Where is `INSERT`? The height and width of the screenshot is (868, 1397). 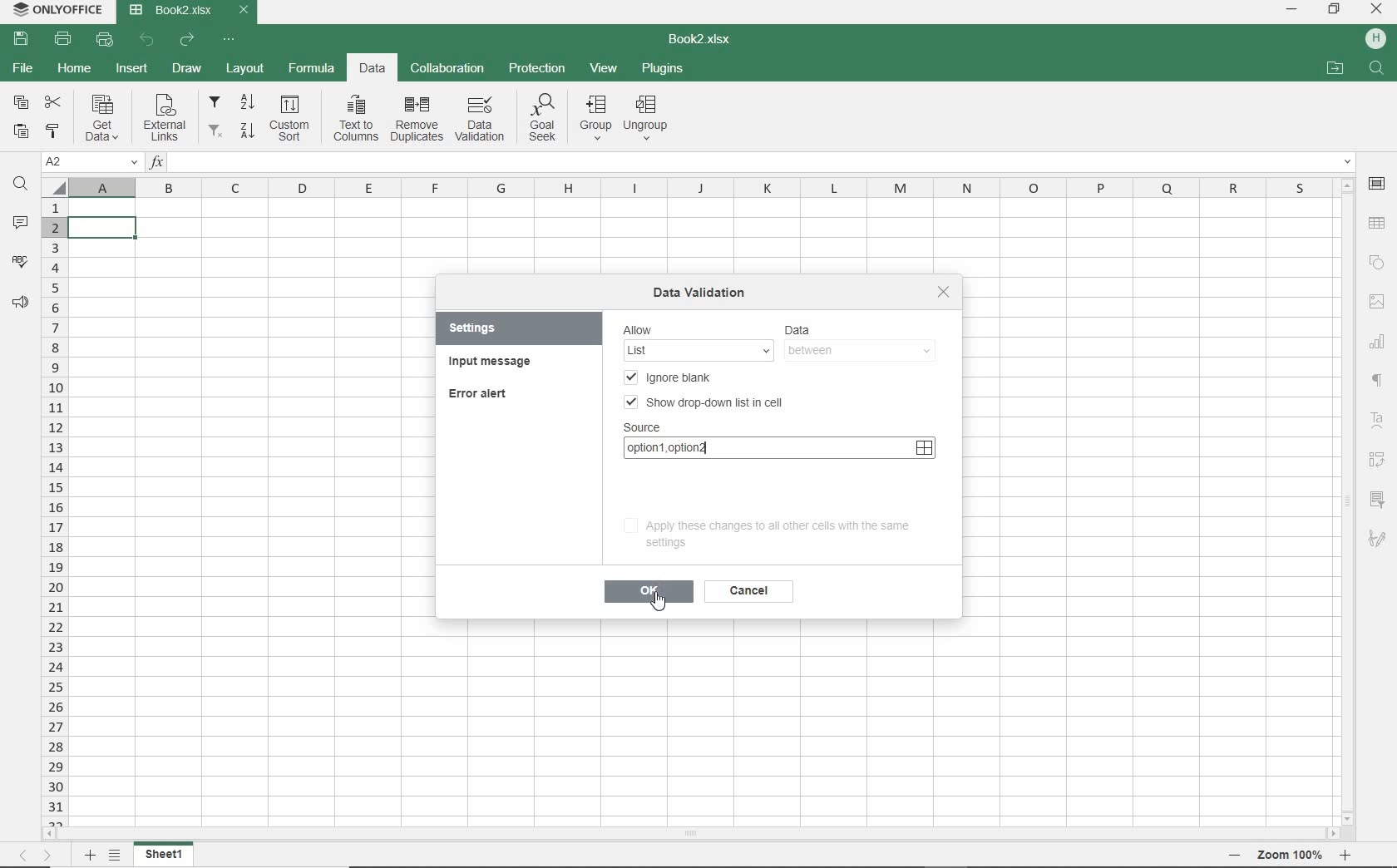 INSERT is located at coordinates (133, 66).